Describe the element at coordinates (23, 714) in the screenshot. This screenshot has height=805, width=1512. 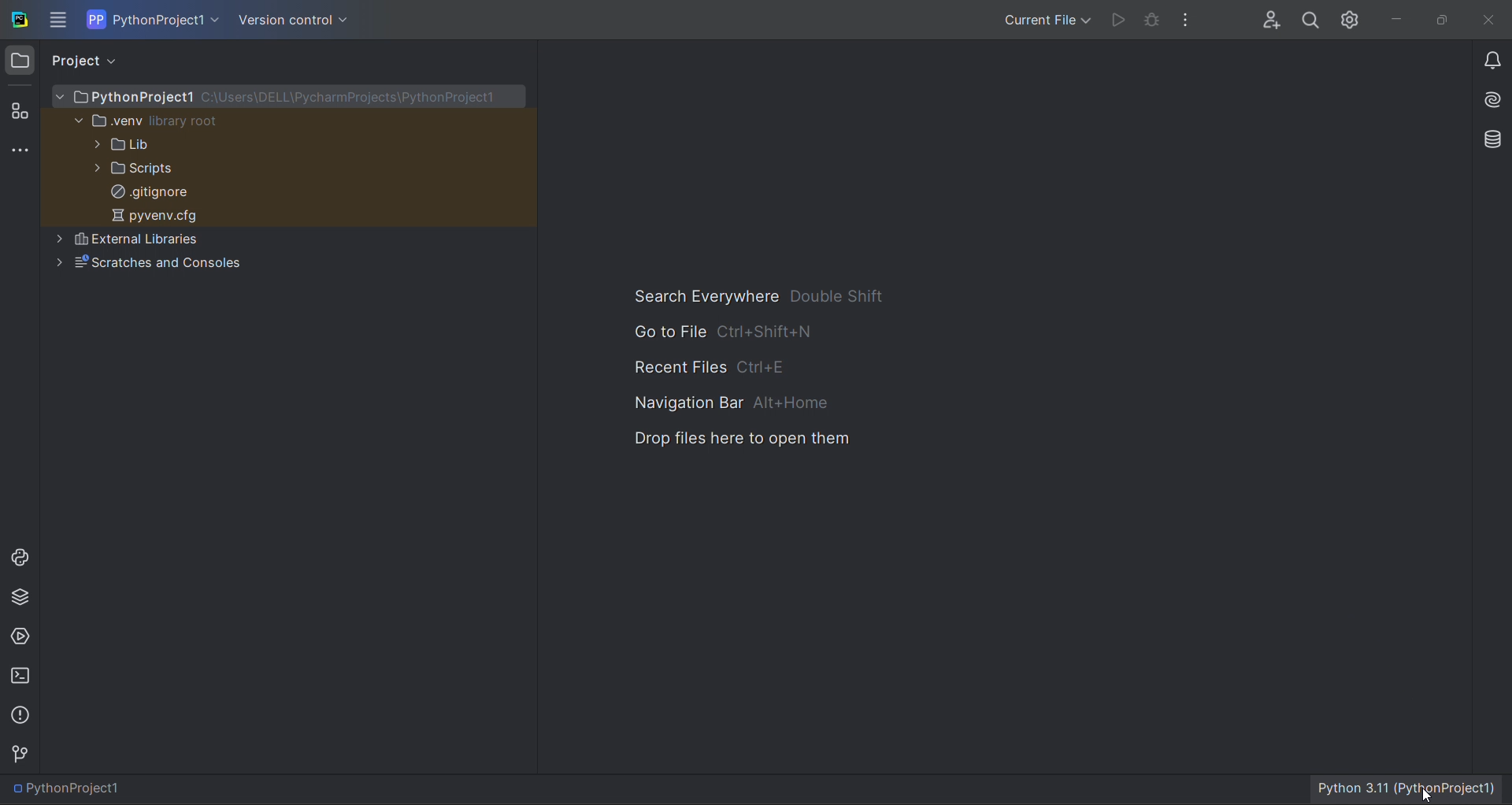
I see `probleems` at that location.